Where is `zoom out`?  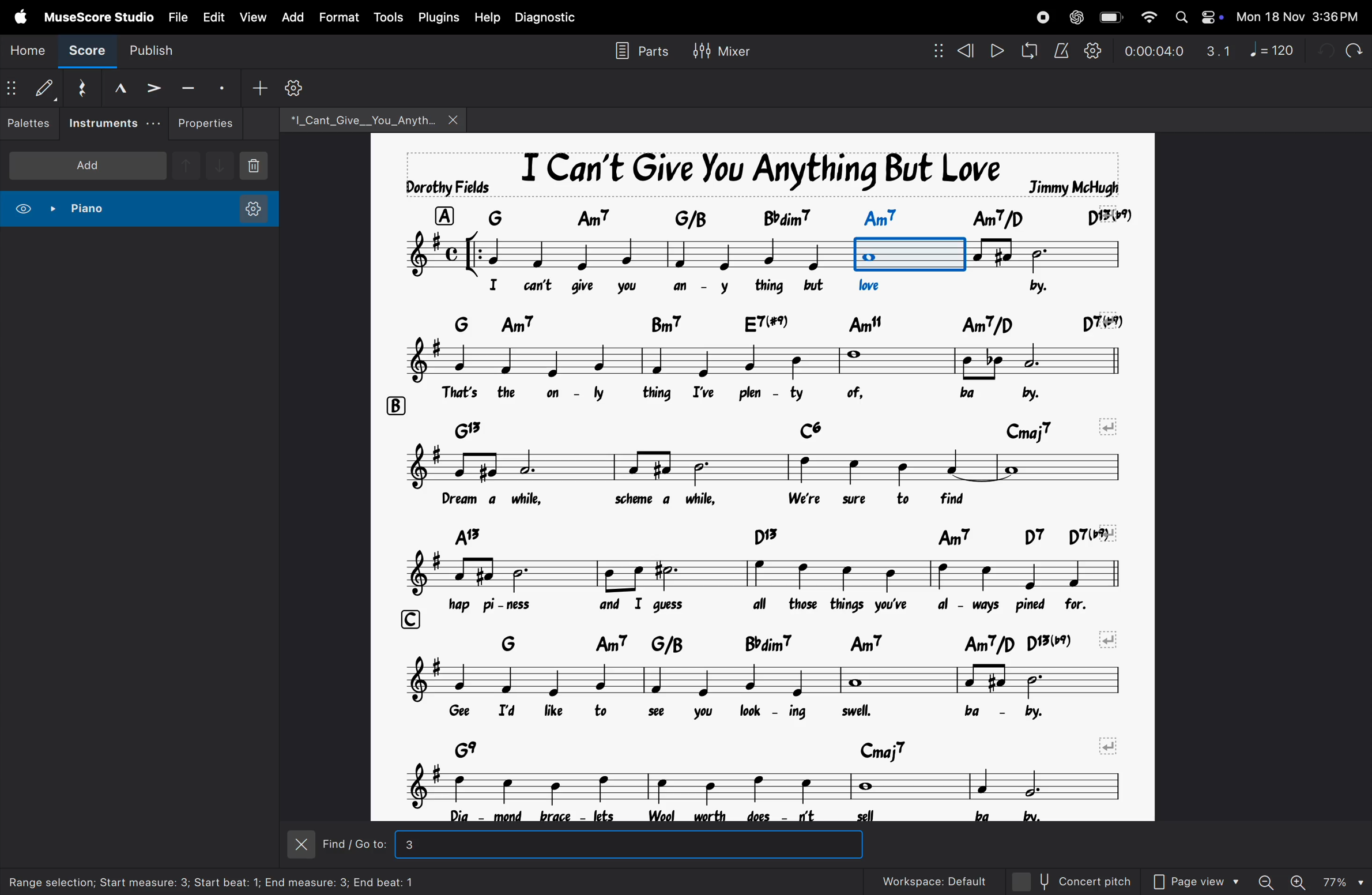 zoom out is located at coordinates (1265, 881).